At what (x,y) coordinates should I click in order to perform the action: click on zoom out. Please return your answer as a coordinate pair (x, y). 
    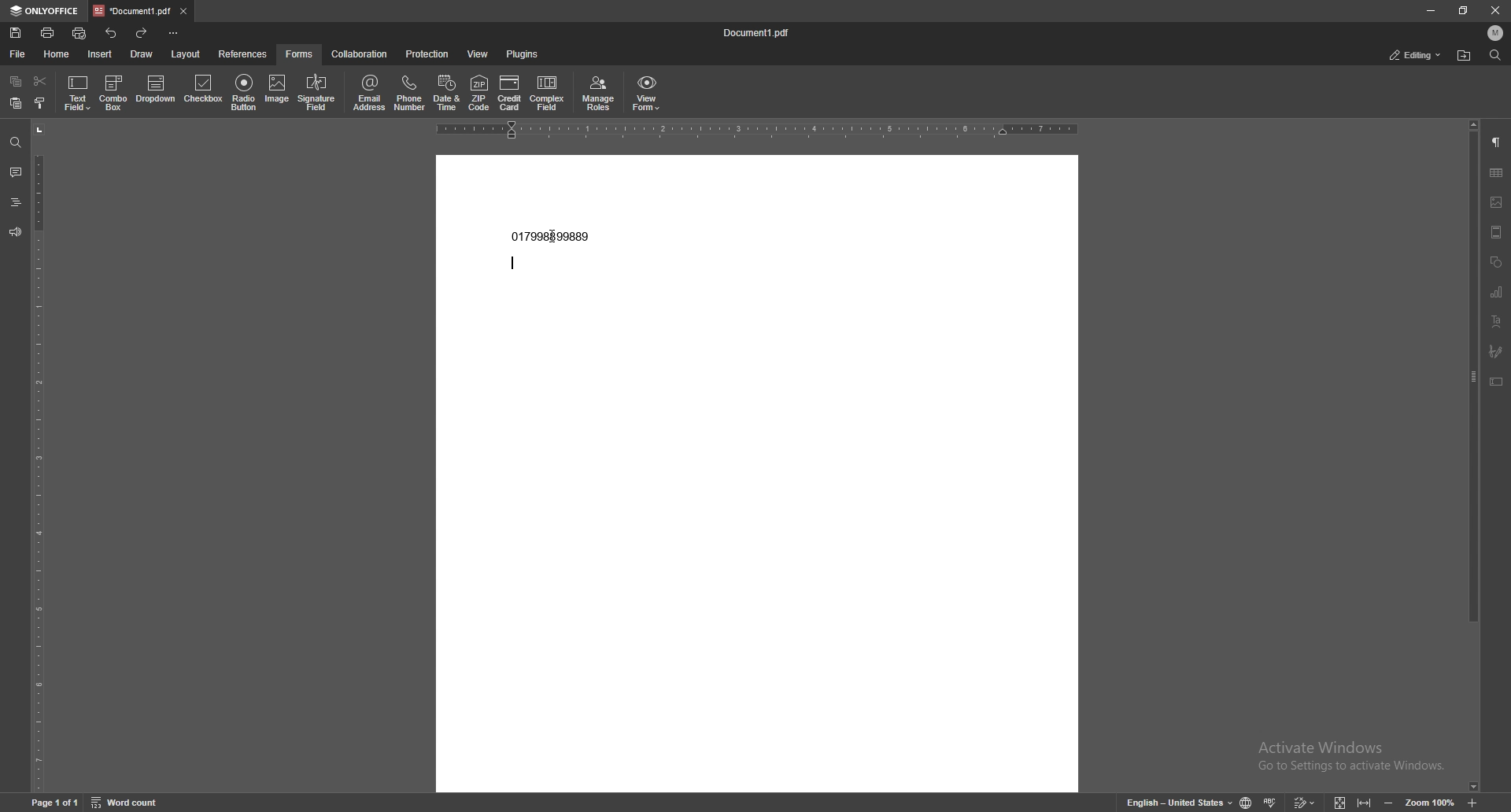
    Looking at the image, I should click on (1387, 803).